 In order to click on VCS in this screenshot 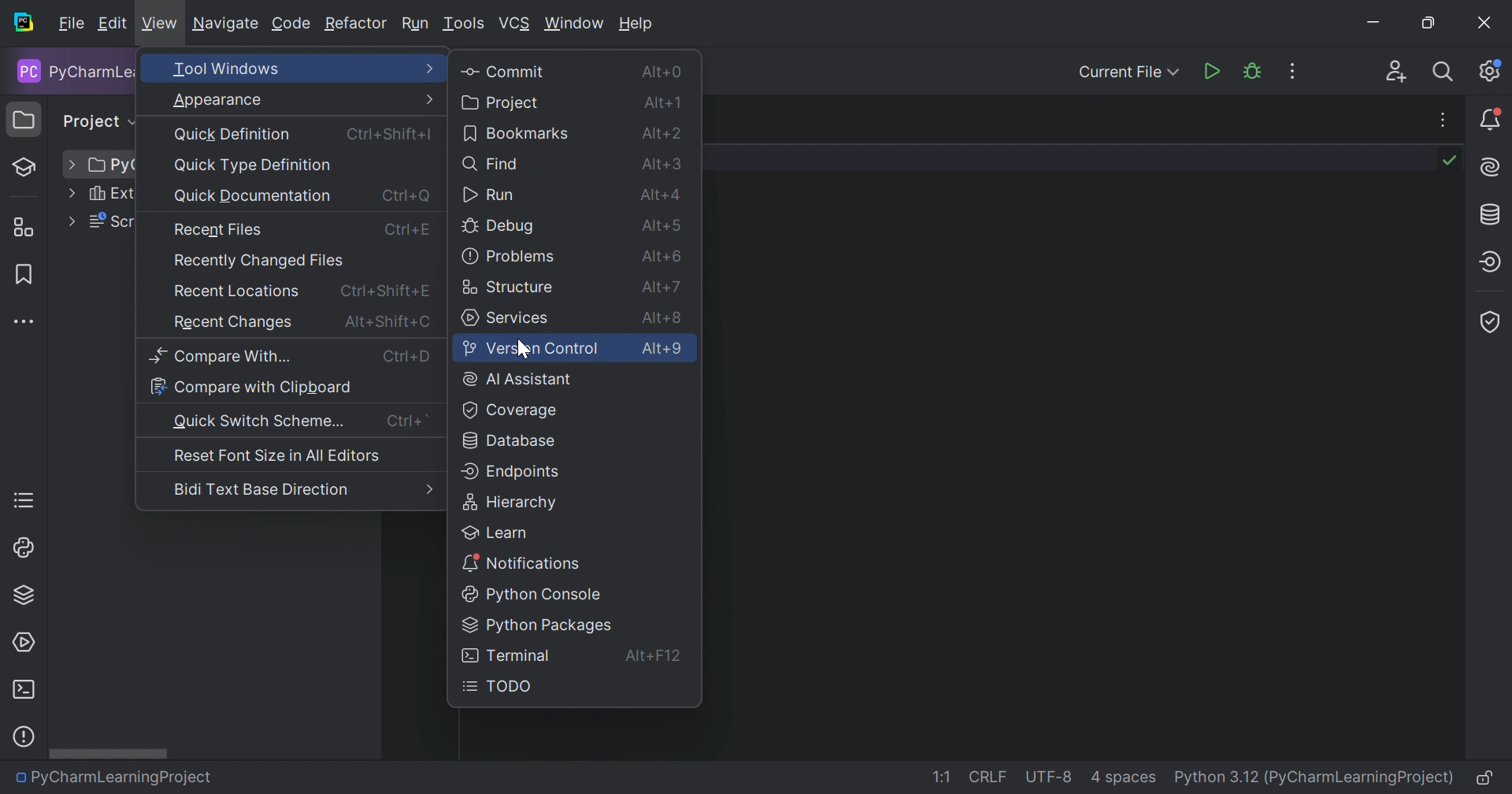, I will do `click(515, 24)`.